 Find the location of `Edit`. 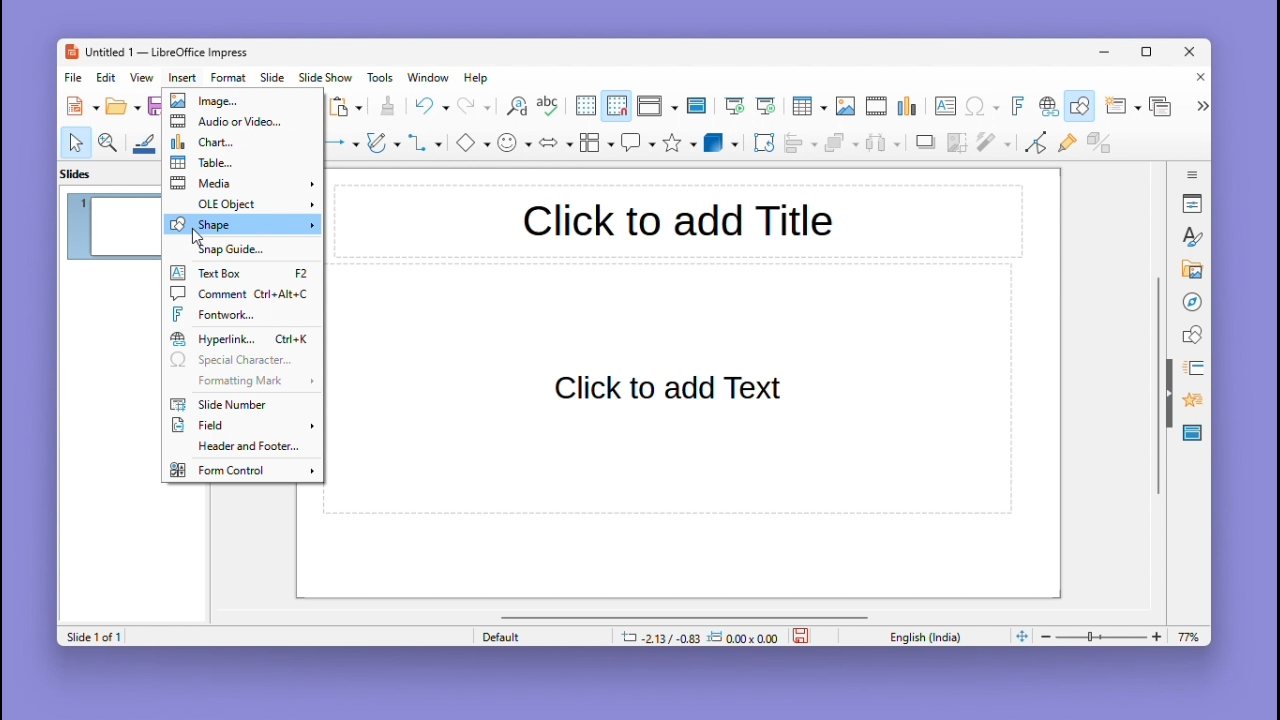

Edit is located at coordinates (108, 77).